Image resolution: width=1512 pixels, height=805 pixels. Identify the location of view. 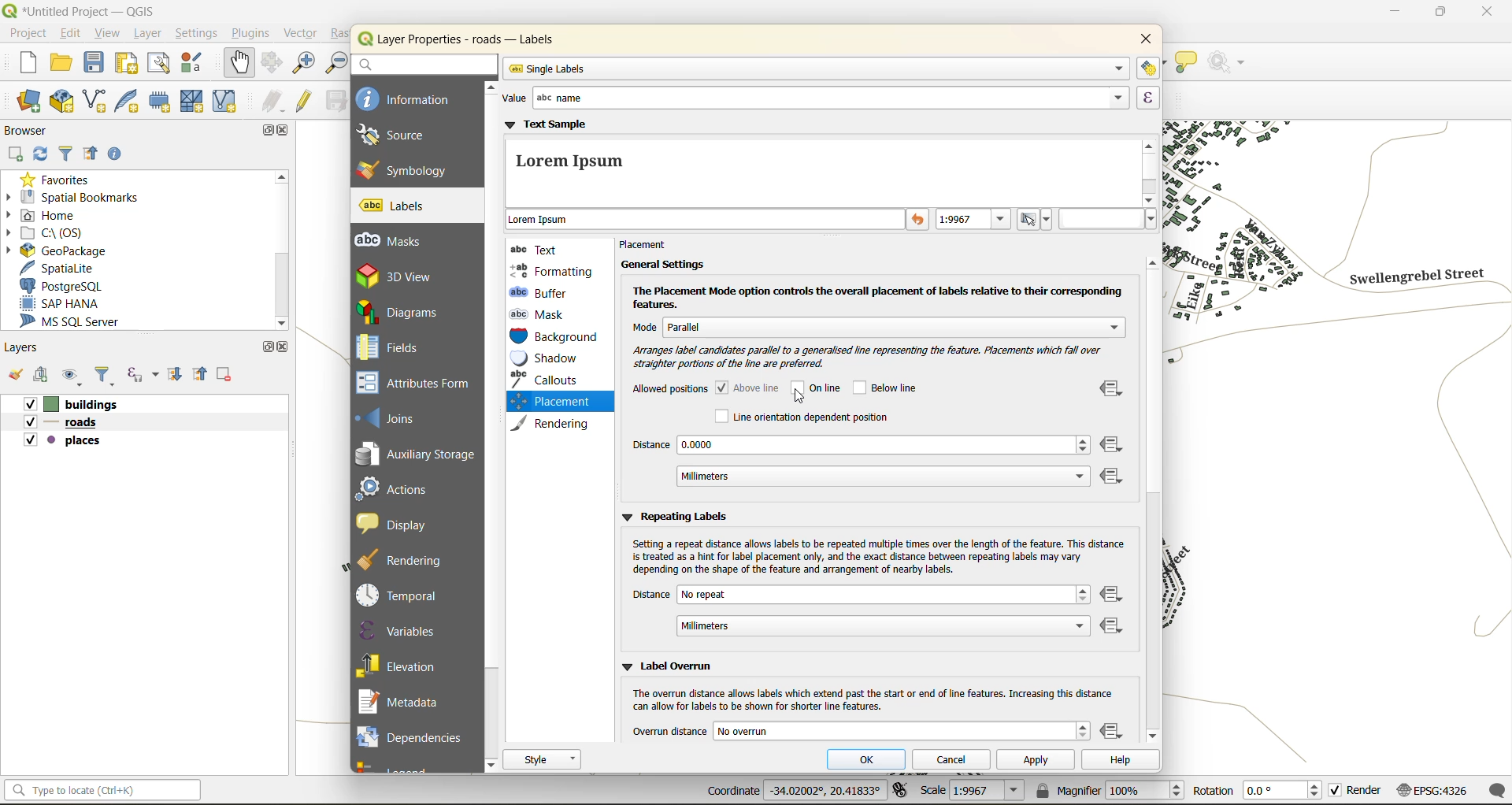
(108, 34).